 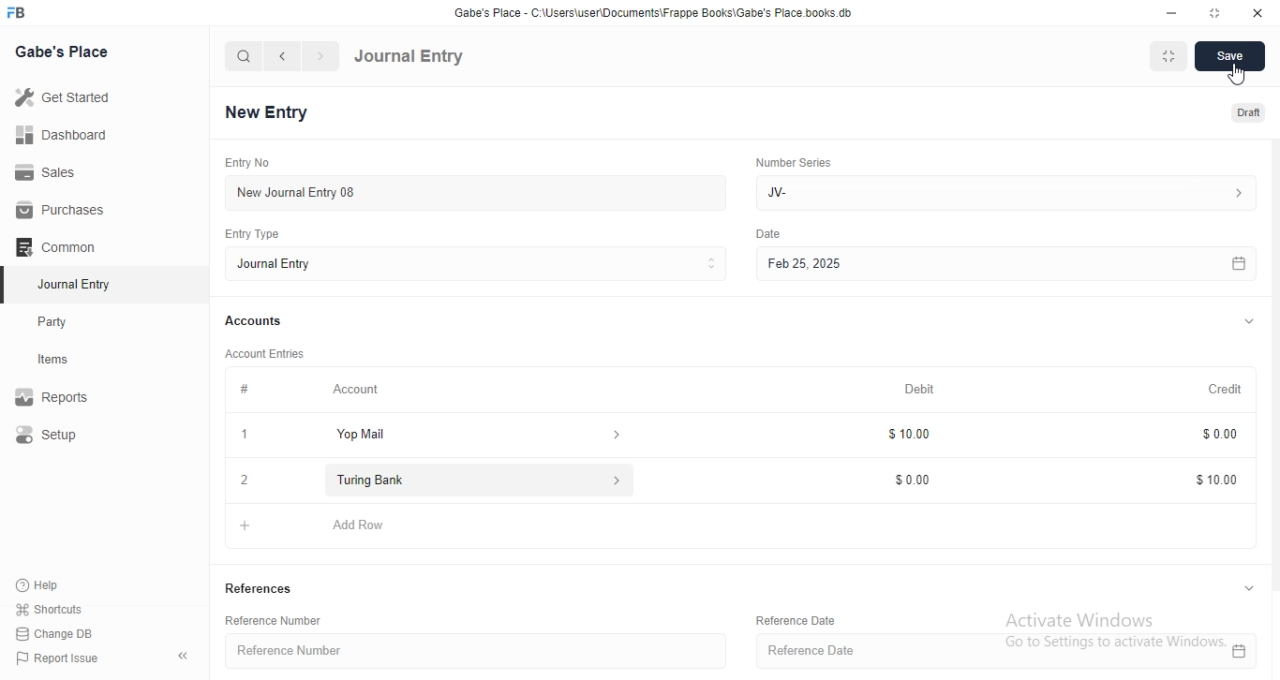 What do you see at coordinates (58, 210) in the screenshot?
I see `Purchases` at bounding box center [58, 210].